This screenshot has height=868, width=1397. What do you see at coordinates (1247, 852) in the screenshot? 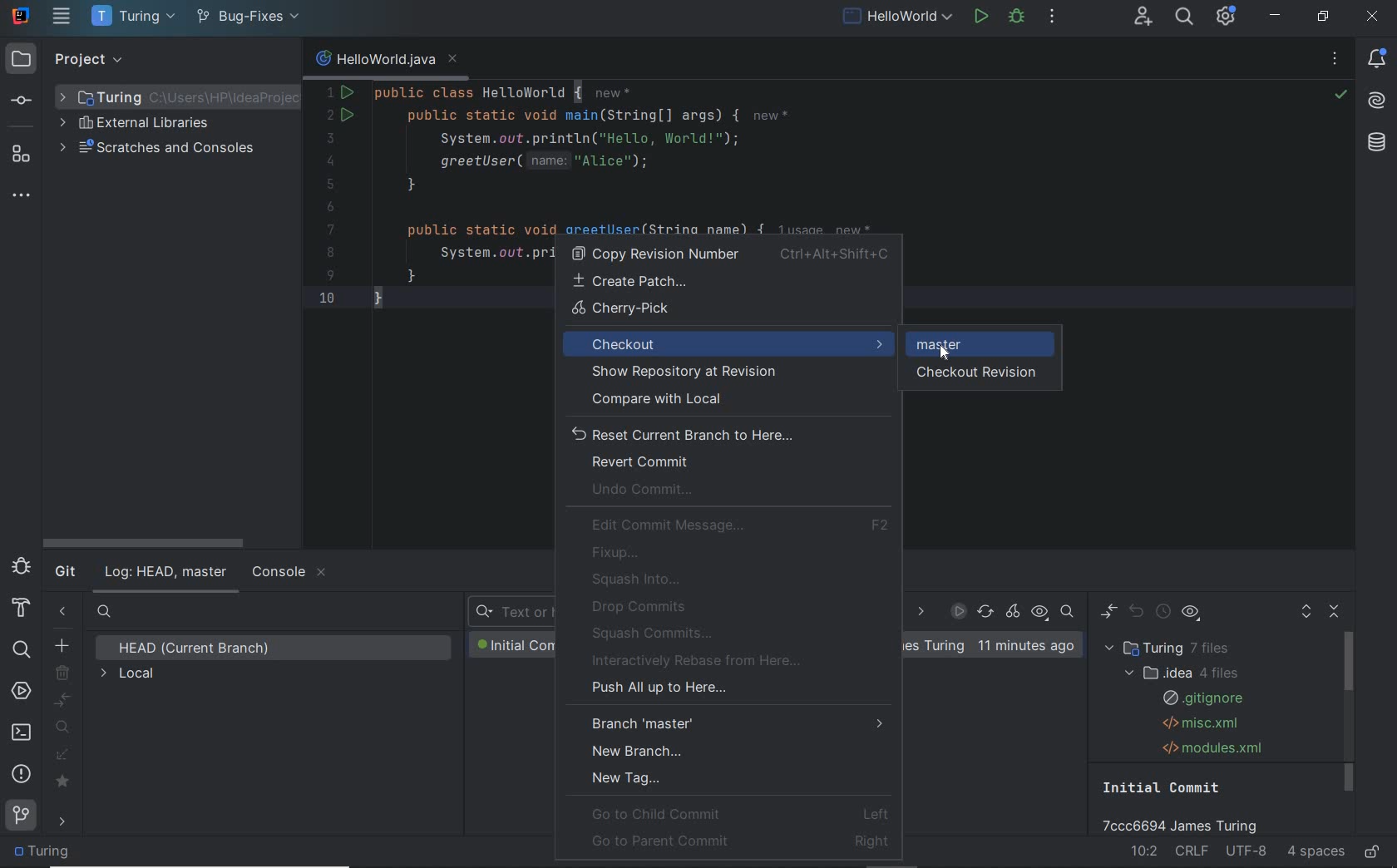
I see `file encoding` at bounding box center [1247, 852].